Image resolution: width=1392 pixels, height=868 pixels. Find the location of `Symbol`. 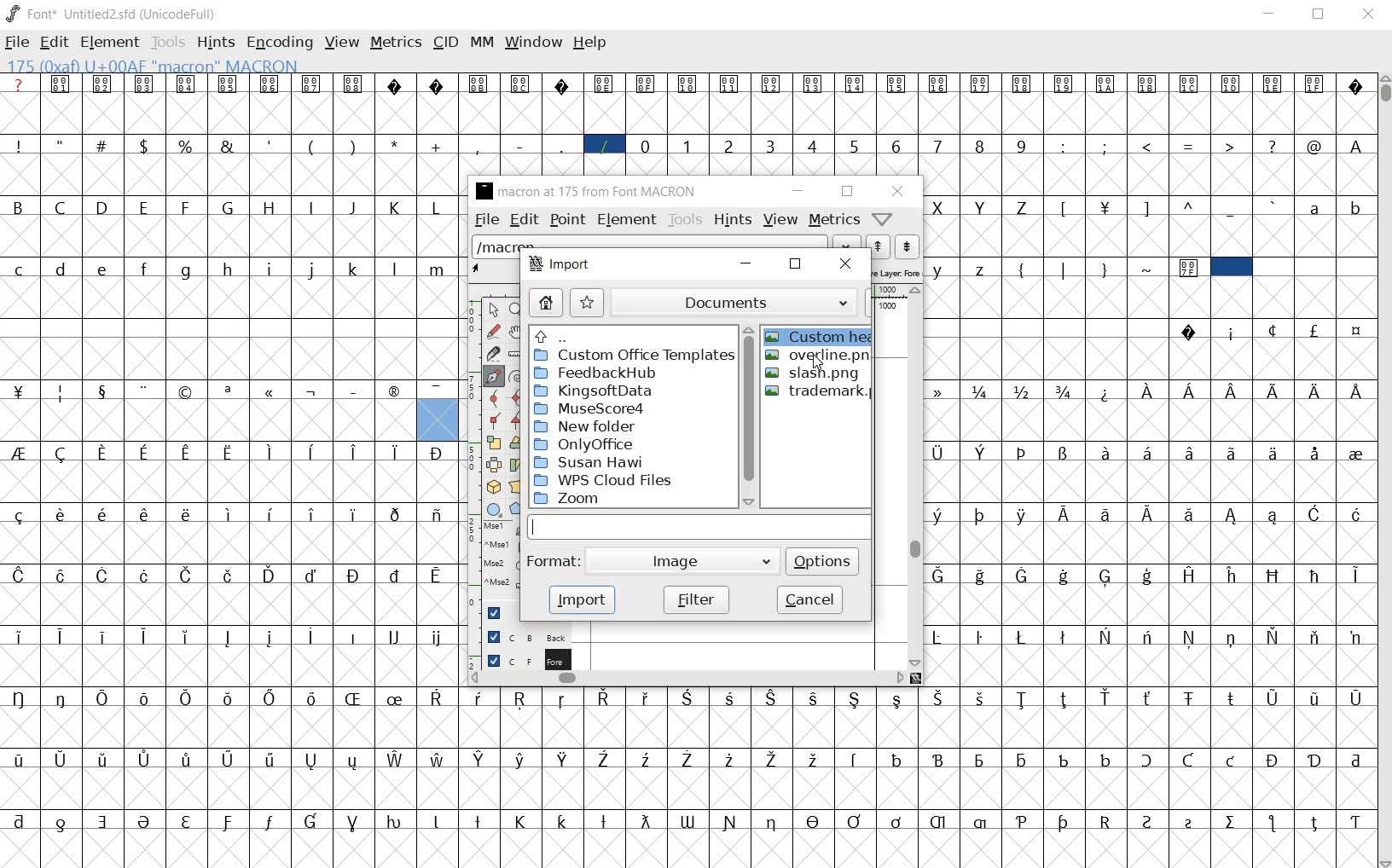

Symbol is located at coordinates (940, 697).